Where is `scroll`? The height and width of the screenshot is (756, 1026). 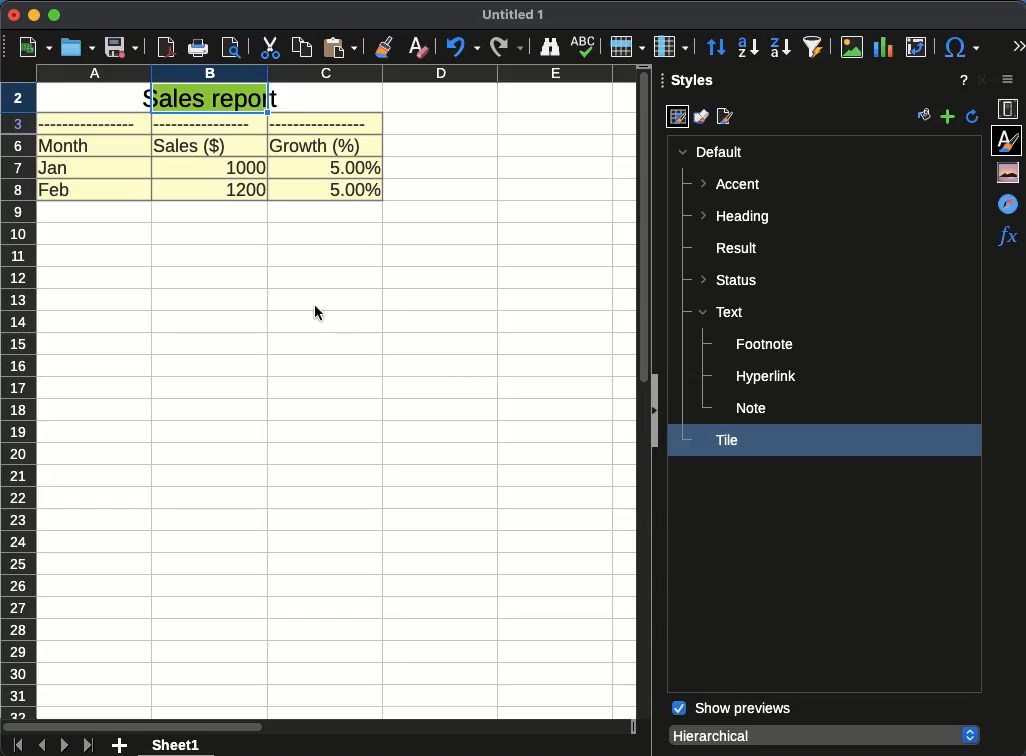
scroll is located at coordinates (318, 728).